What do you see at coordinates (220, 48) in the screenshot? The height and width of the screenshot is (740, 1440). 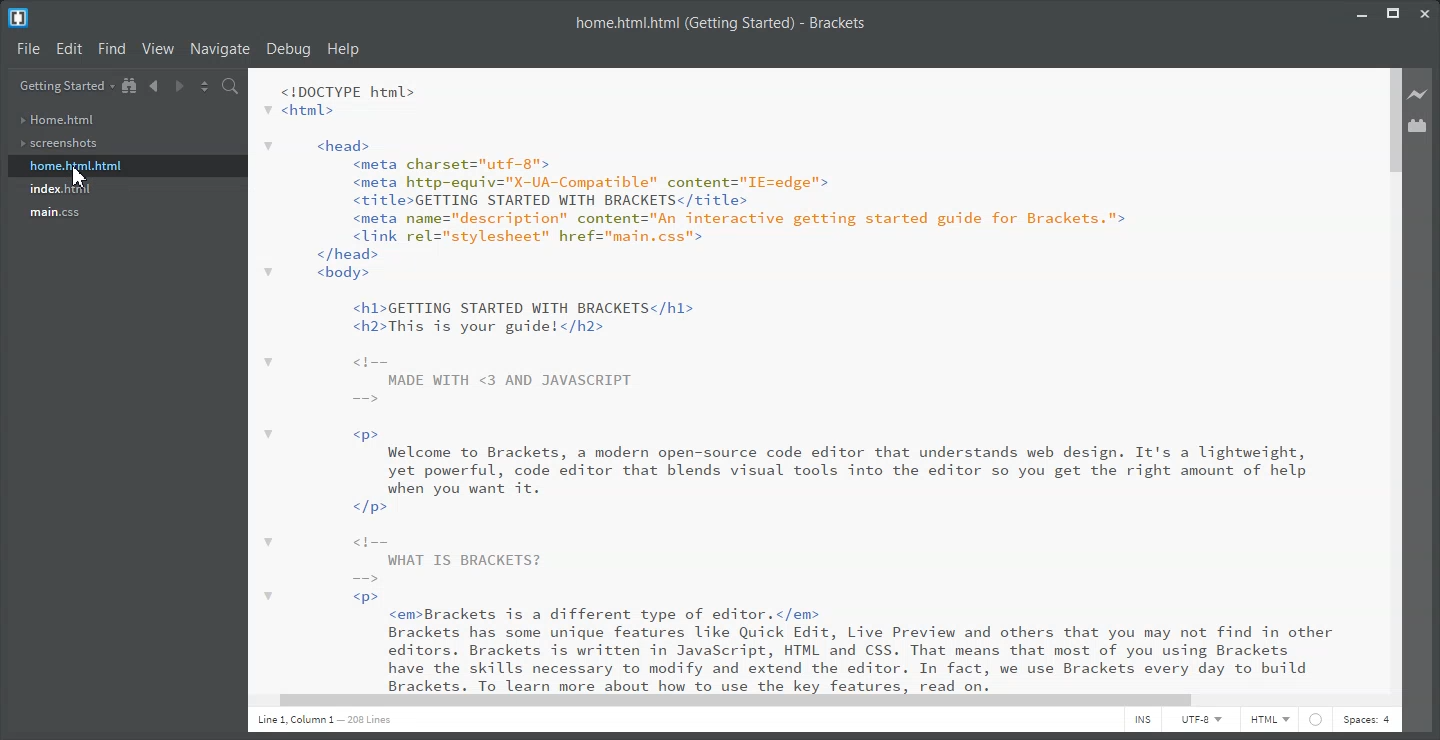 I see `Navigate` at bounding box center [220, 48].